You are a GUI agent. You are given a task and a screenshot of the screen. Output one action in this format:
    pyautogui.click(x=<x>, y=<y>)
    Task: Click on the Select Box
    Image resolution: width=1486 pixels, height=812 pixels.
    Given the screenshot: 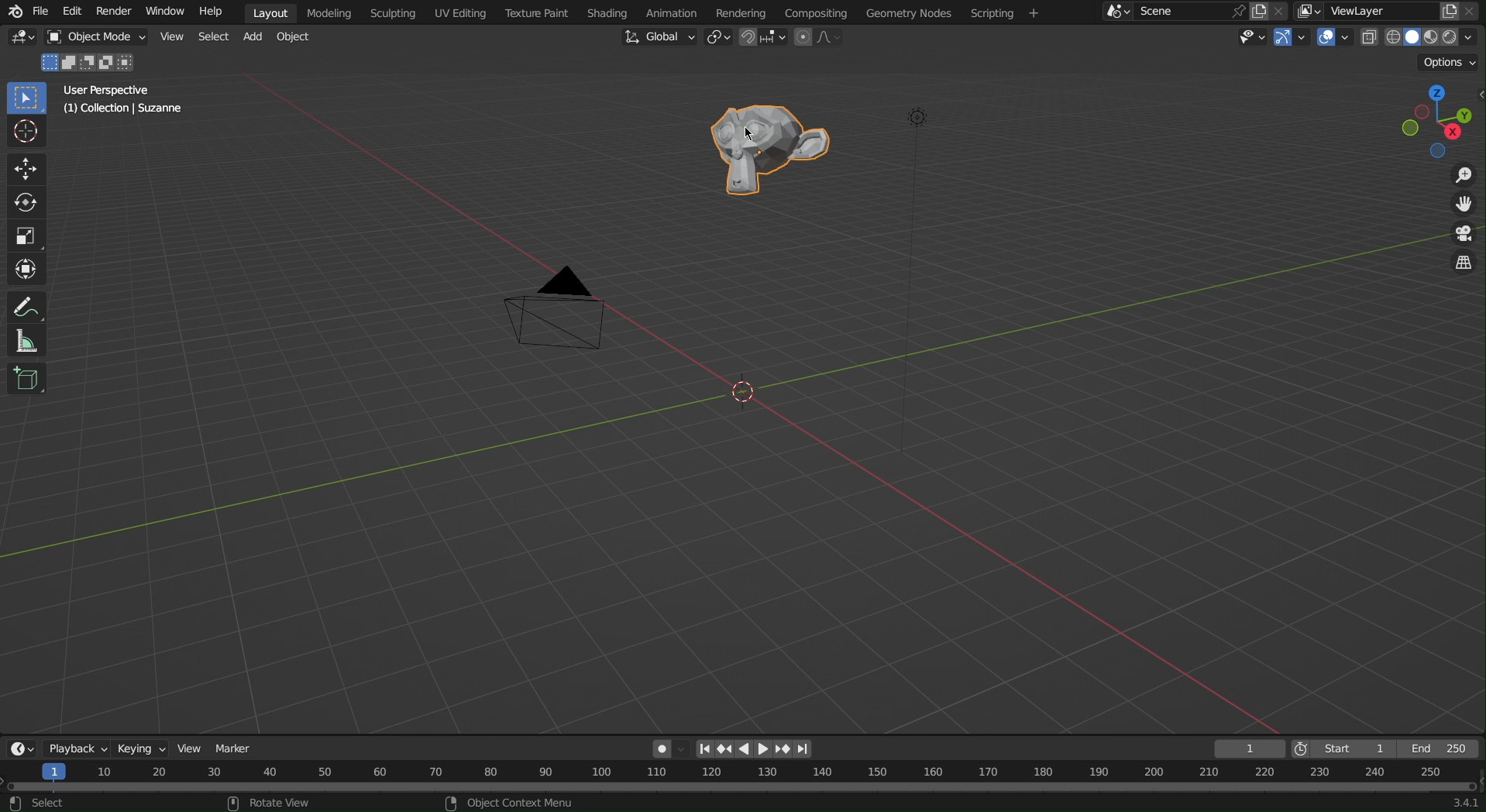 What is the action you would take?
    pyautogui.click(x=26, y=97)
    